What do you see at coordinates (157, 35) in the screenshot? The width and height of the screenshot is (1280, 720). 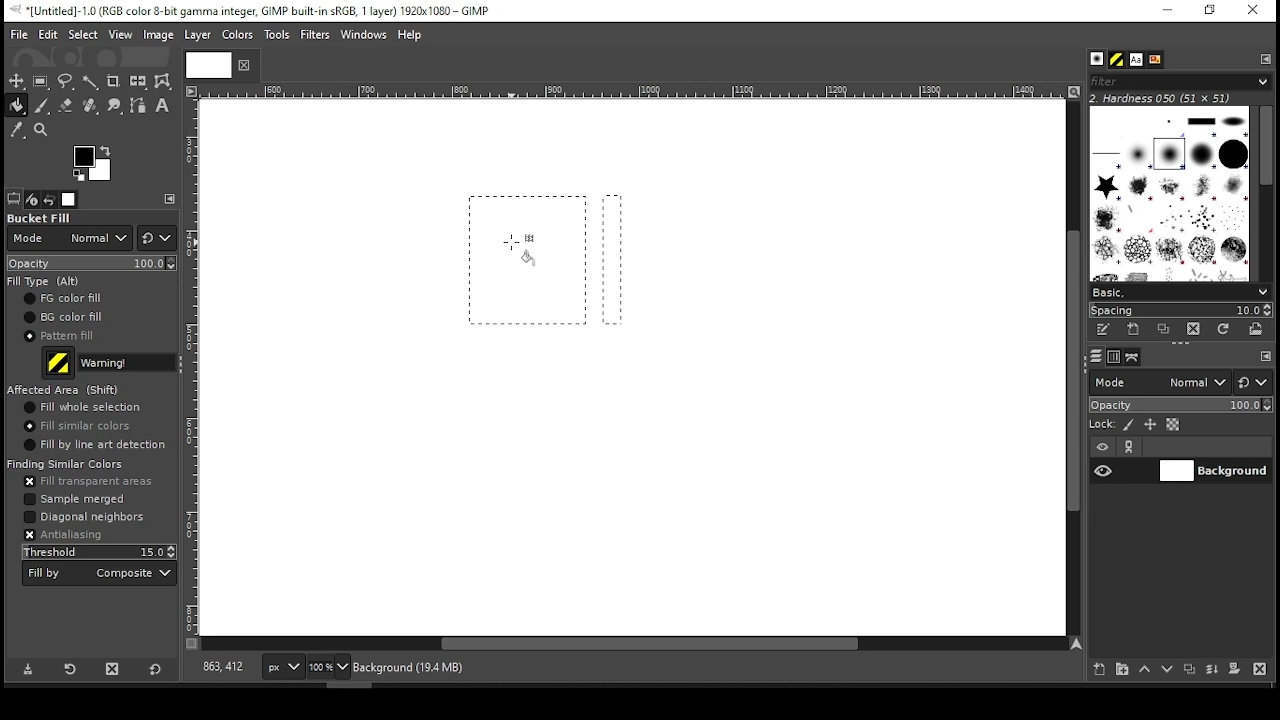 I see `image` at bounding box center [157, 35].